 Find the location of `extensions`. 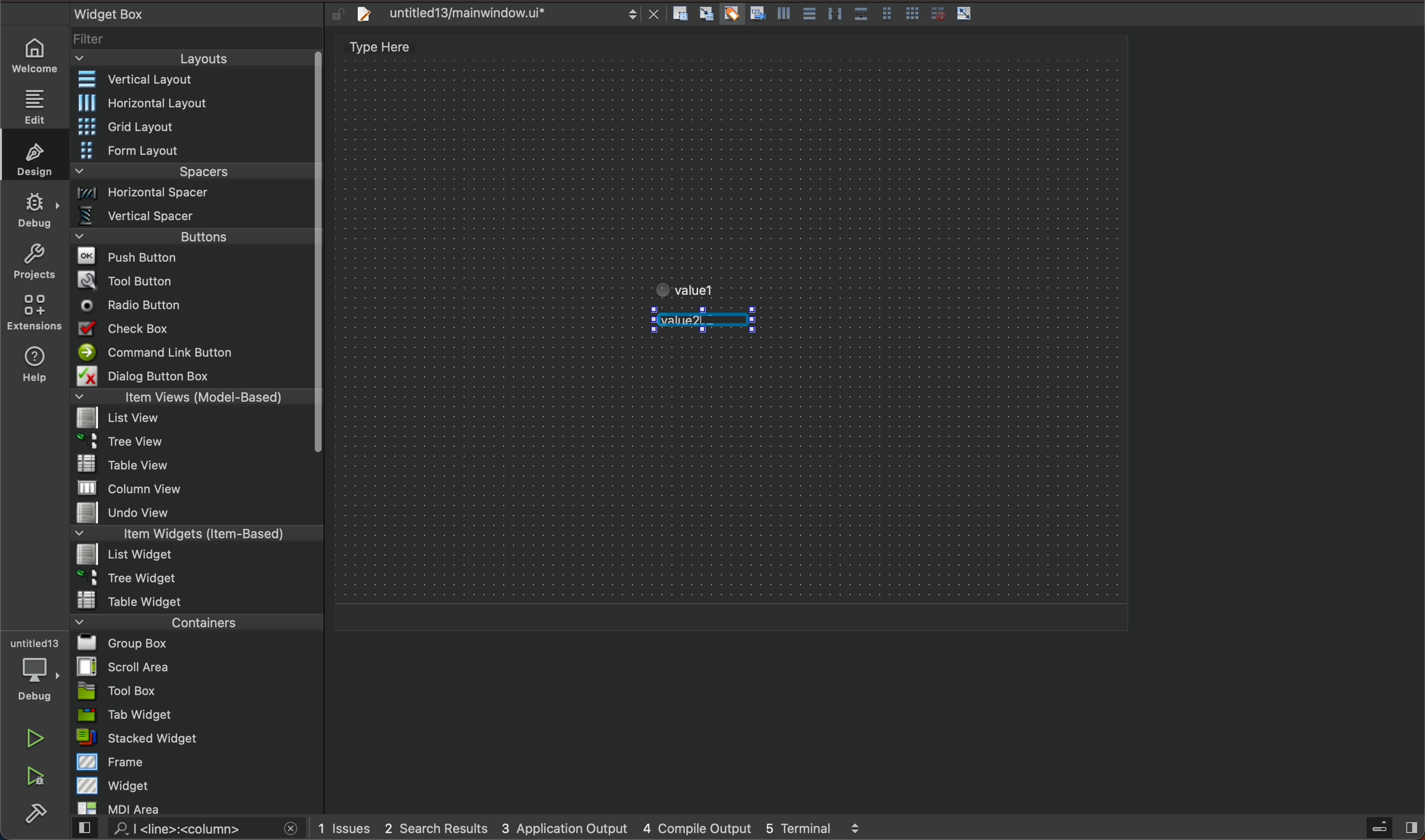

extensions is located at coordinates (33, 312).